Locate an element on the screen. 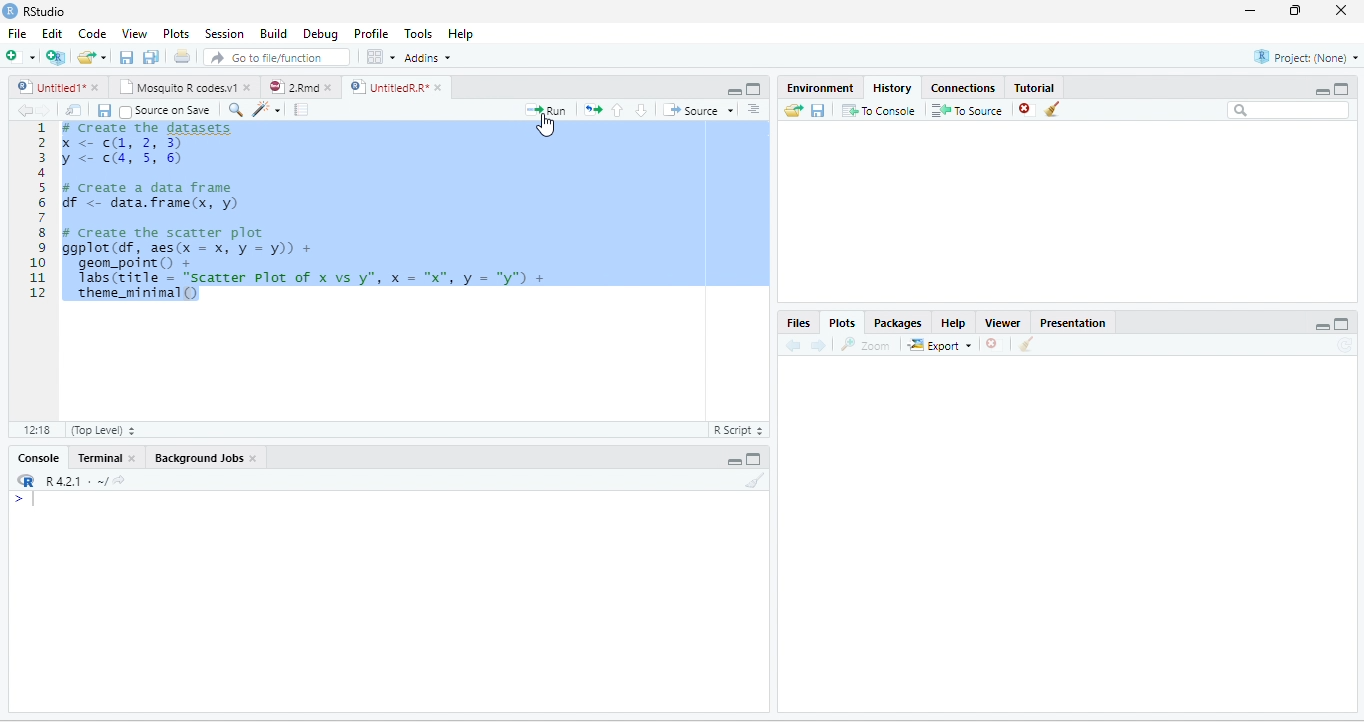 Image resolution: width=1364 pixels, height=722 pixels. zoom is located at coordinates (866, 344).